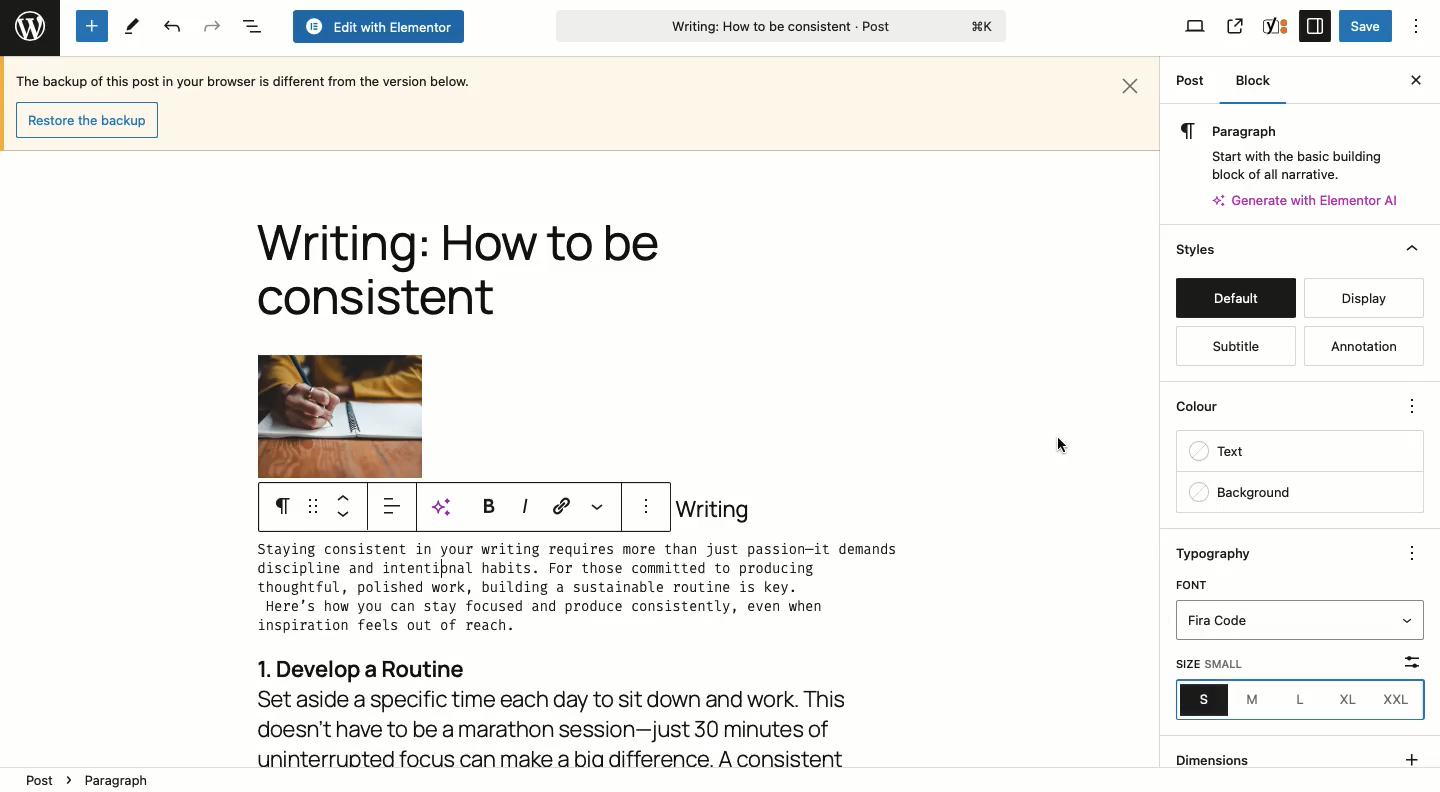 The height and width of the screenshot is (792, 1440). What do you see at coordinates (458, 274) in the screenshot?
I see `Writing: How to be consistent` at bounding box center [458, 274].